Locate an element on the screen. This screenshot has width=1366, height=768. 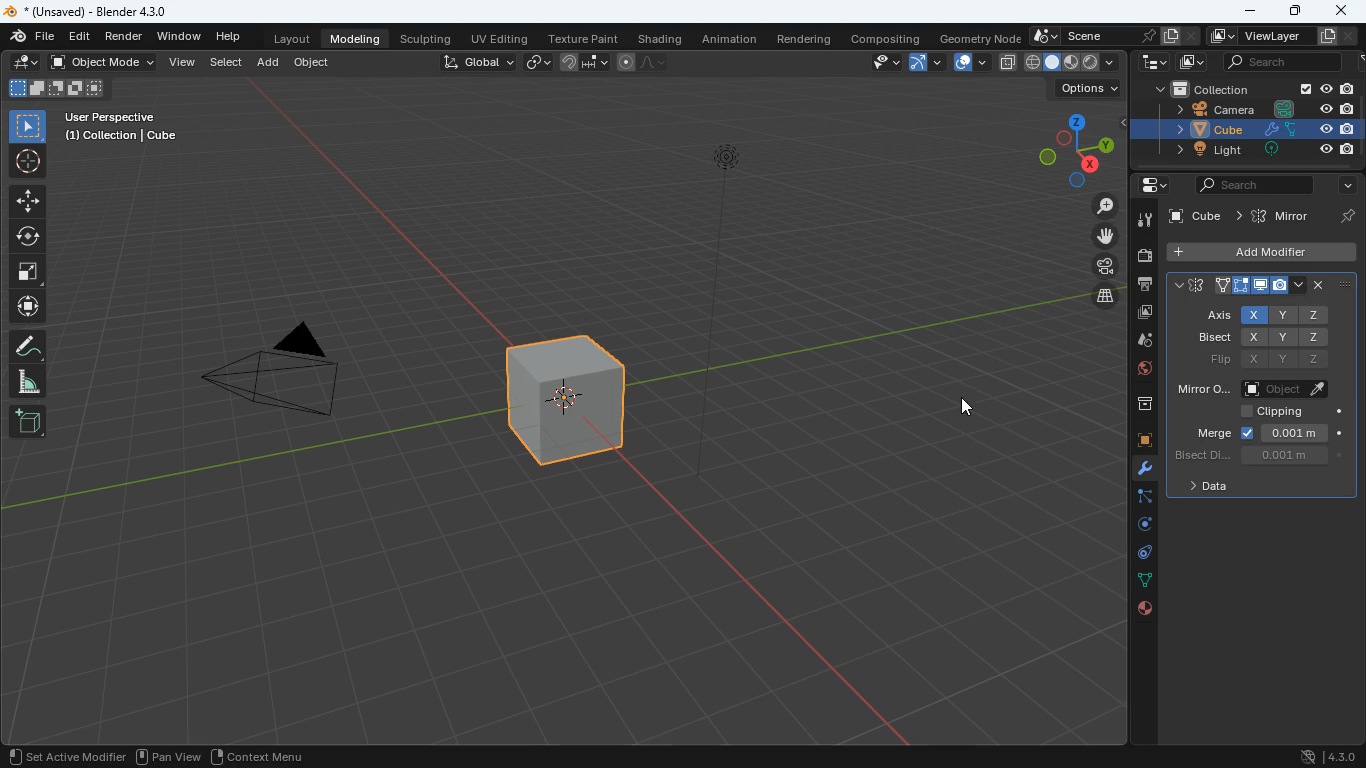
edit is located at coordinates (80, 38).